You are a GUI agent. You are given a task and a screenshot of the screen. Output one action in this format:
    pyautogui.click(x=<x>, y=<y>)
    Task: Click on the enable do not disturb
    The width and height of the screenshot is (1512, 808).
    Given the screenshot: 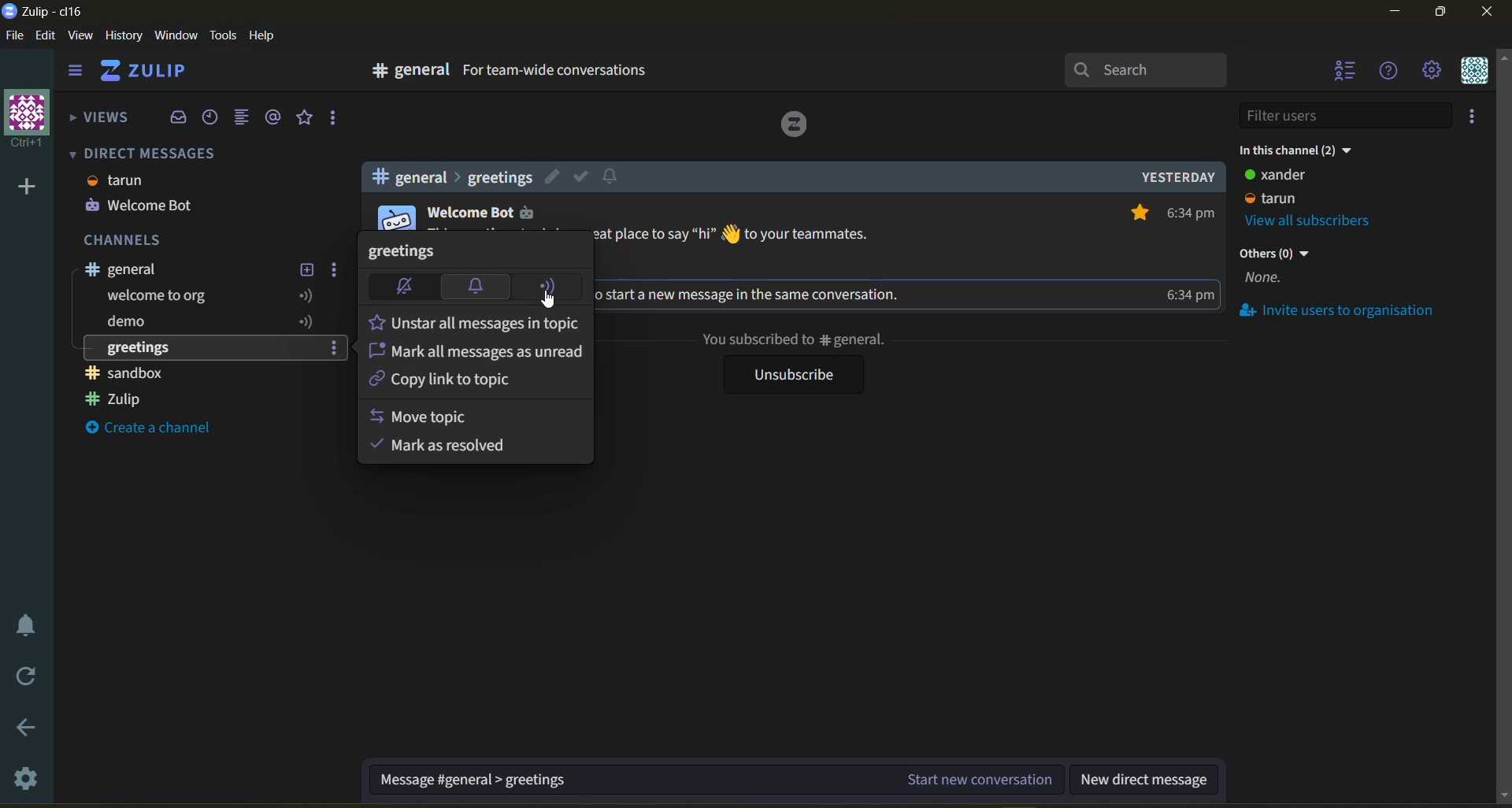 What is the action you would take?
    pyautogui.click(x=22, y=625)
    